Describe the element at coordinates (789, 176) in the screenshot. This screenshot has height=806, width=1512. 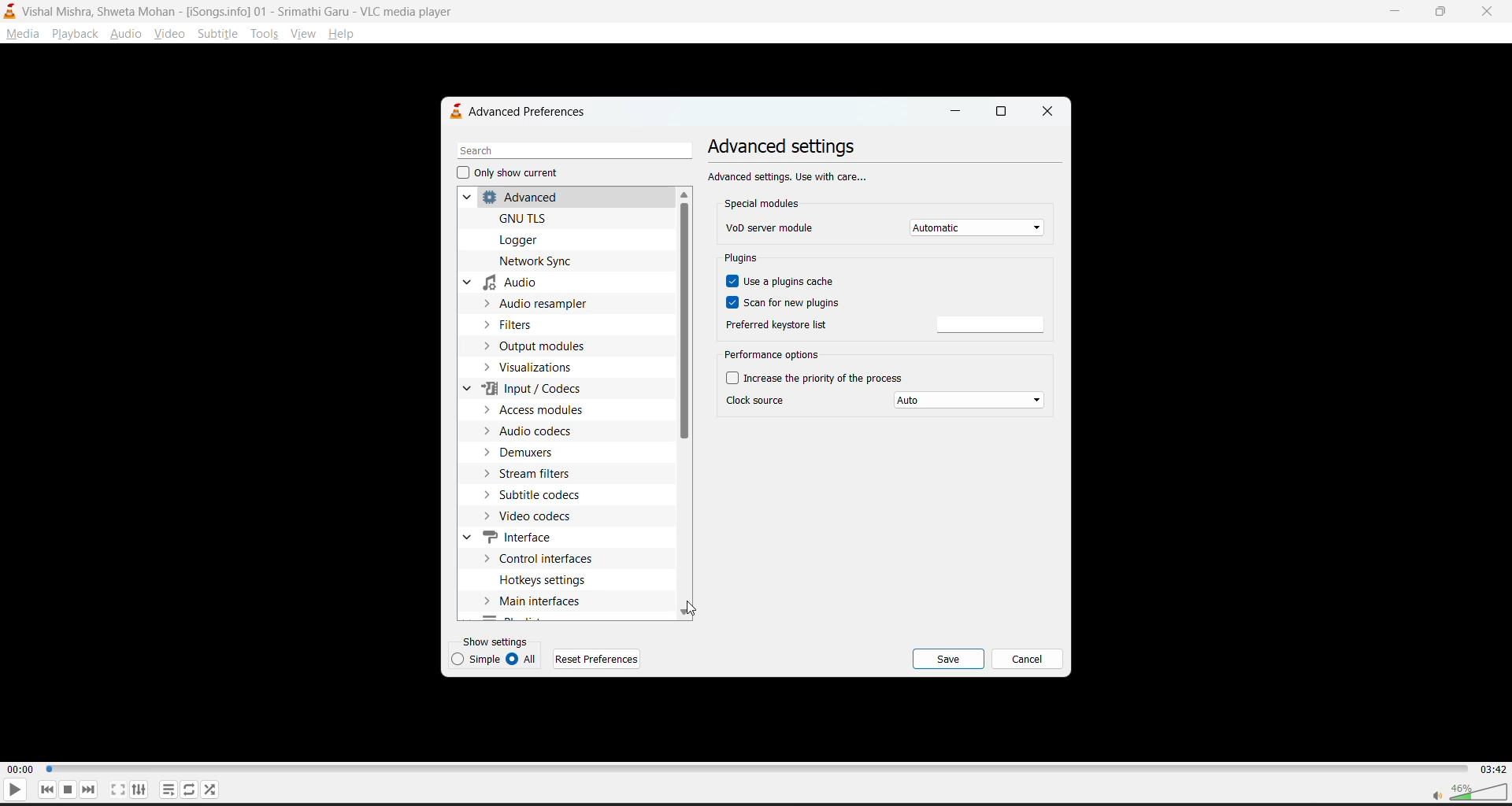
I see `Advanced settings, Use with care` at that location.